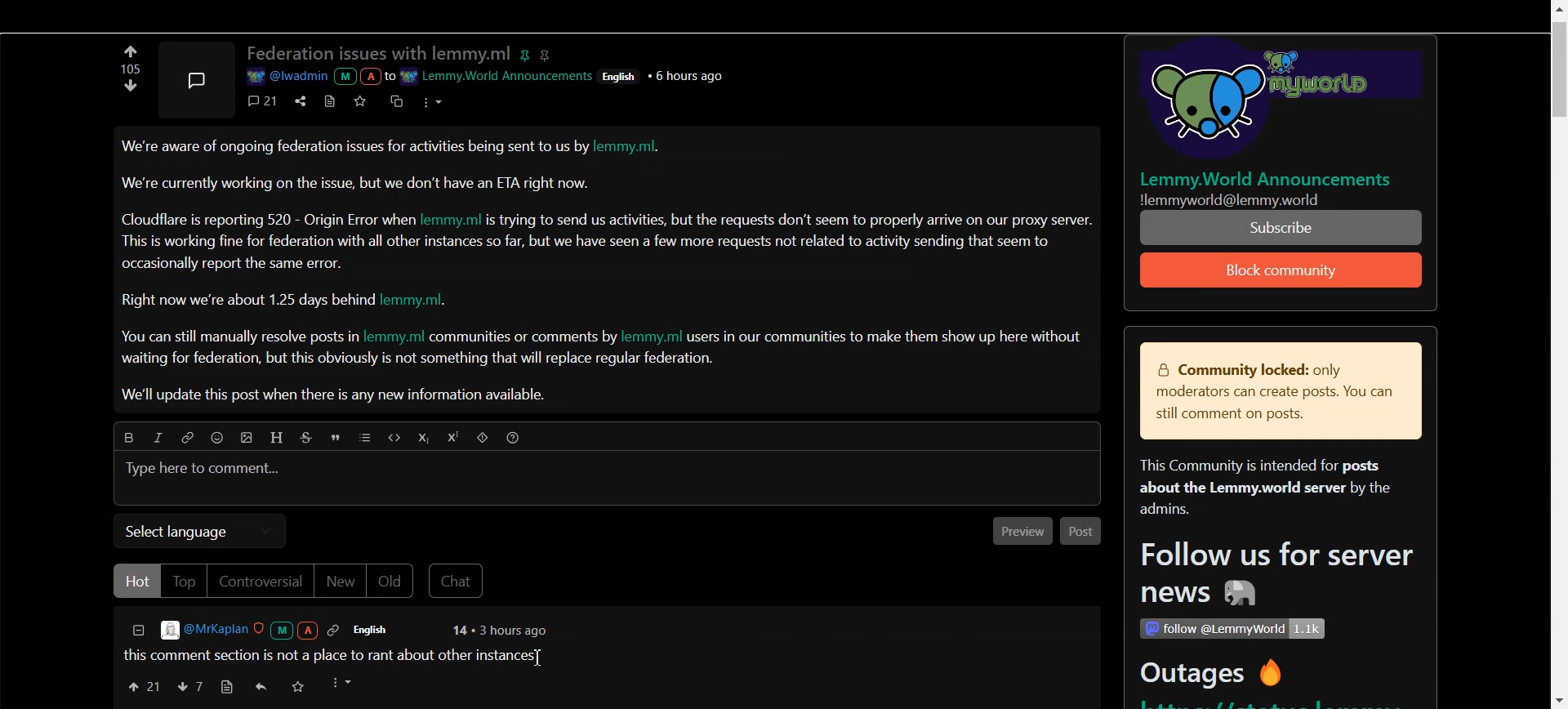  I want to click on s trying to send us activities, but the requests don’t seem to properly arrive on our proxy server., so click(791, 221).